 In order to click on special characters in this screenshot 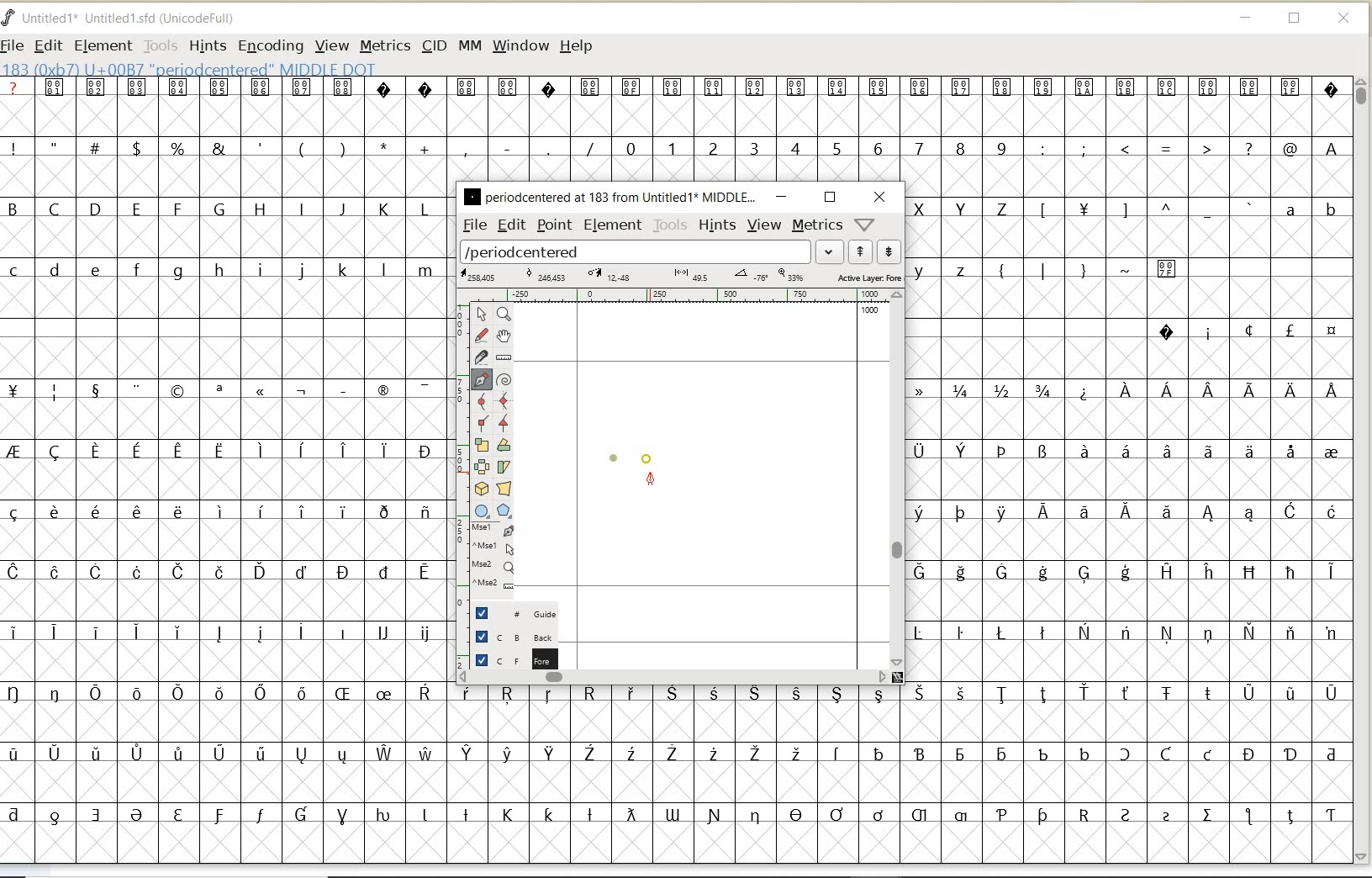, I will do `click(219, 601)`.